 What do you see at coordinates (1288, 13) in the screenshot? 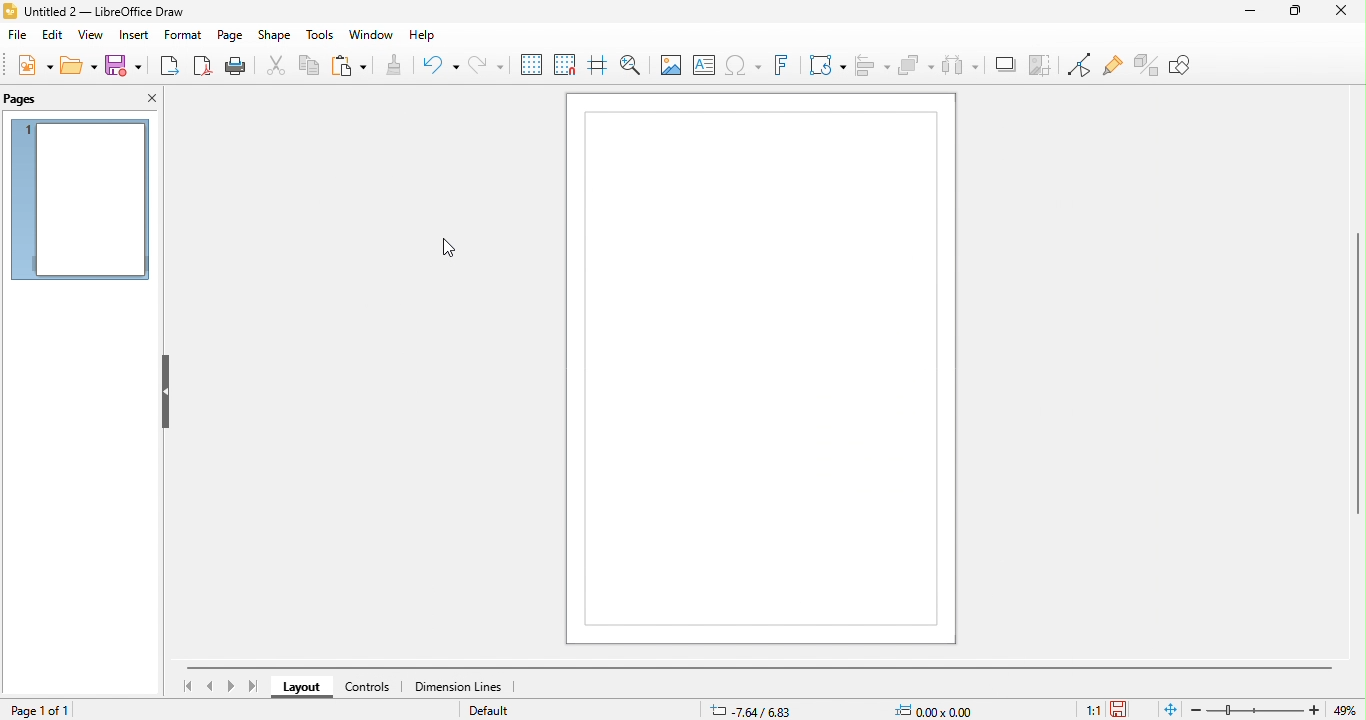
I see `maximize` at bounding box center [1288, 13].